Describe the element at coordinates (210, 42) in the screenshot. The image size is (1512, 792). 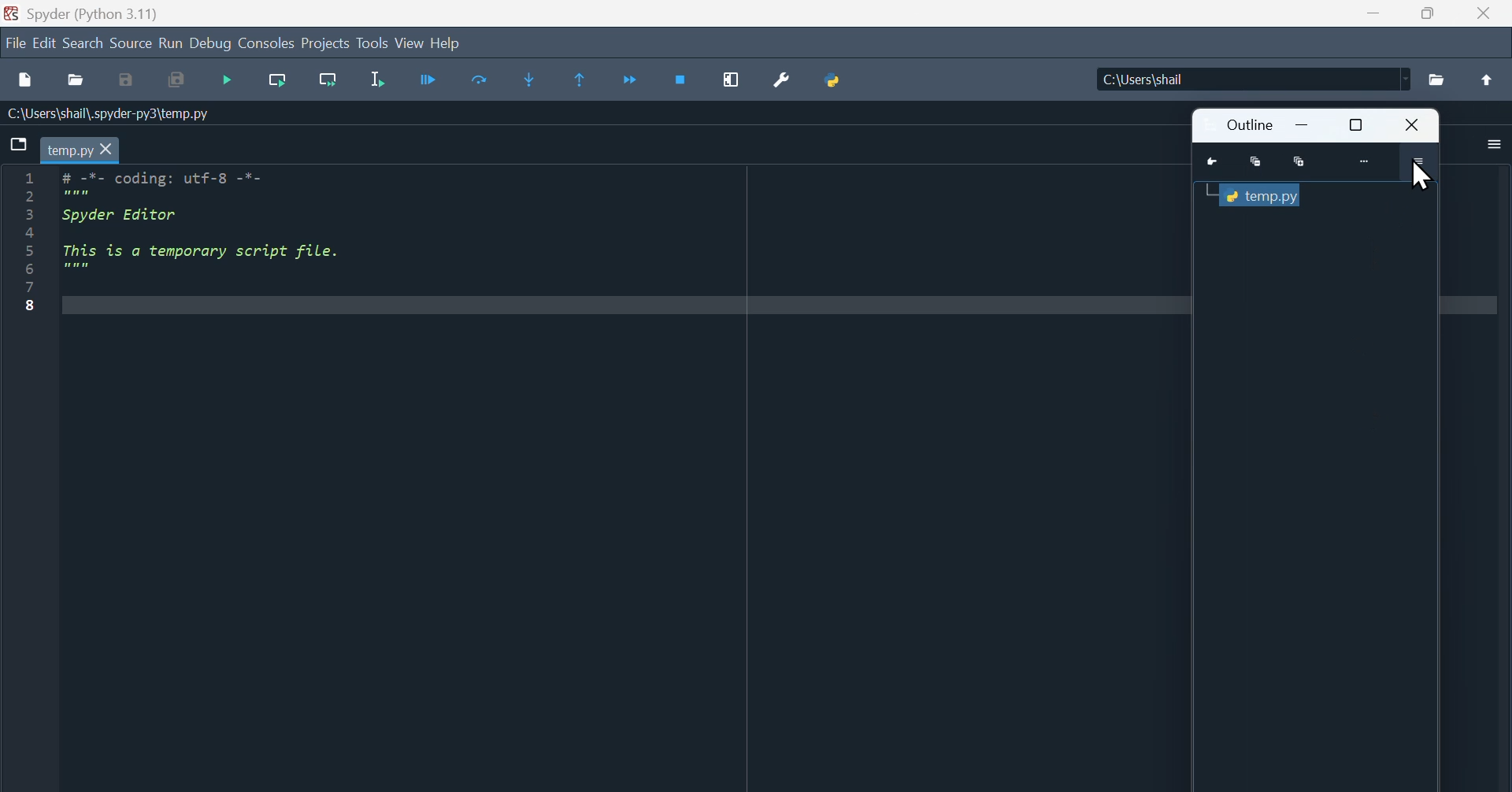
I see `Debug` at that location.